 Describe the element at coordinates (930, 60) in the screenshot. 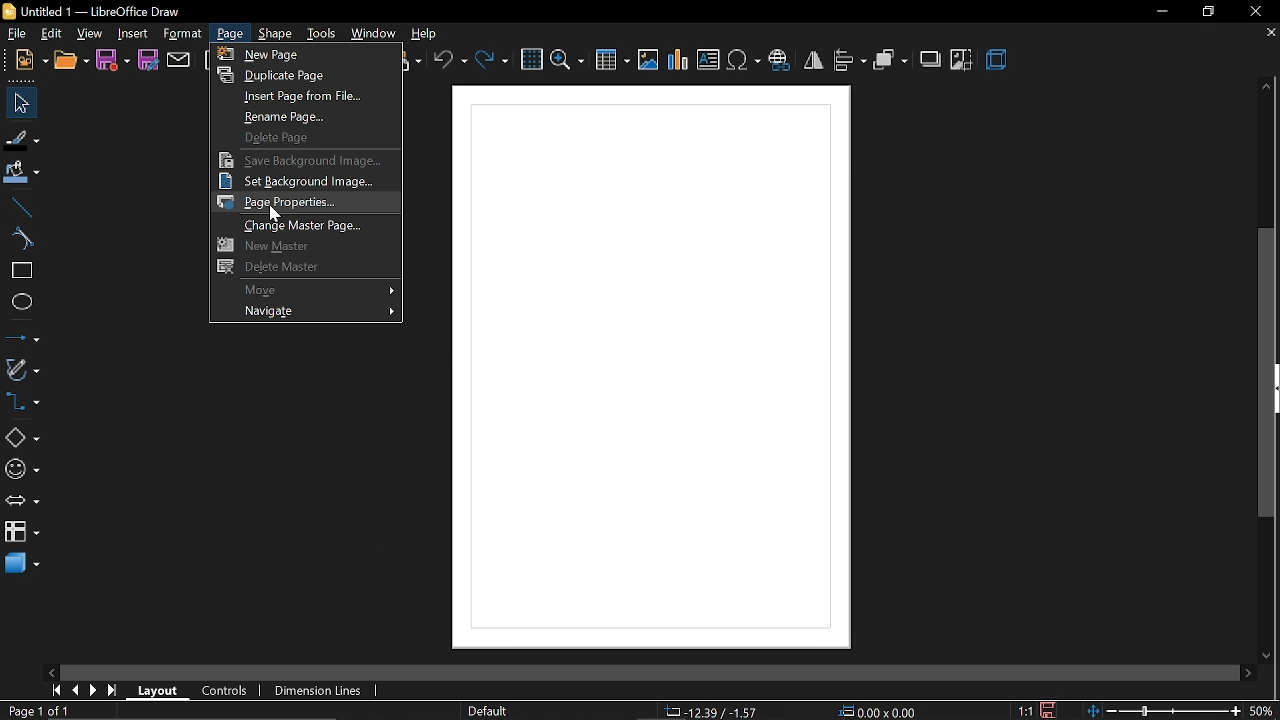

I see `shadow` at that location.